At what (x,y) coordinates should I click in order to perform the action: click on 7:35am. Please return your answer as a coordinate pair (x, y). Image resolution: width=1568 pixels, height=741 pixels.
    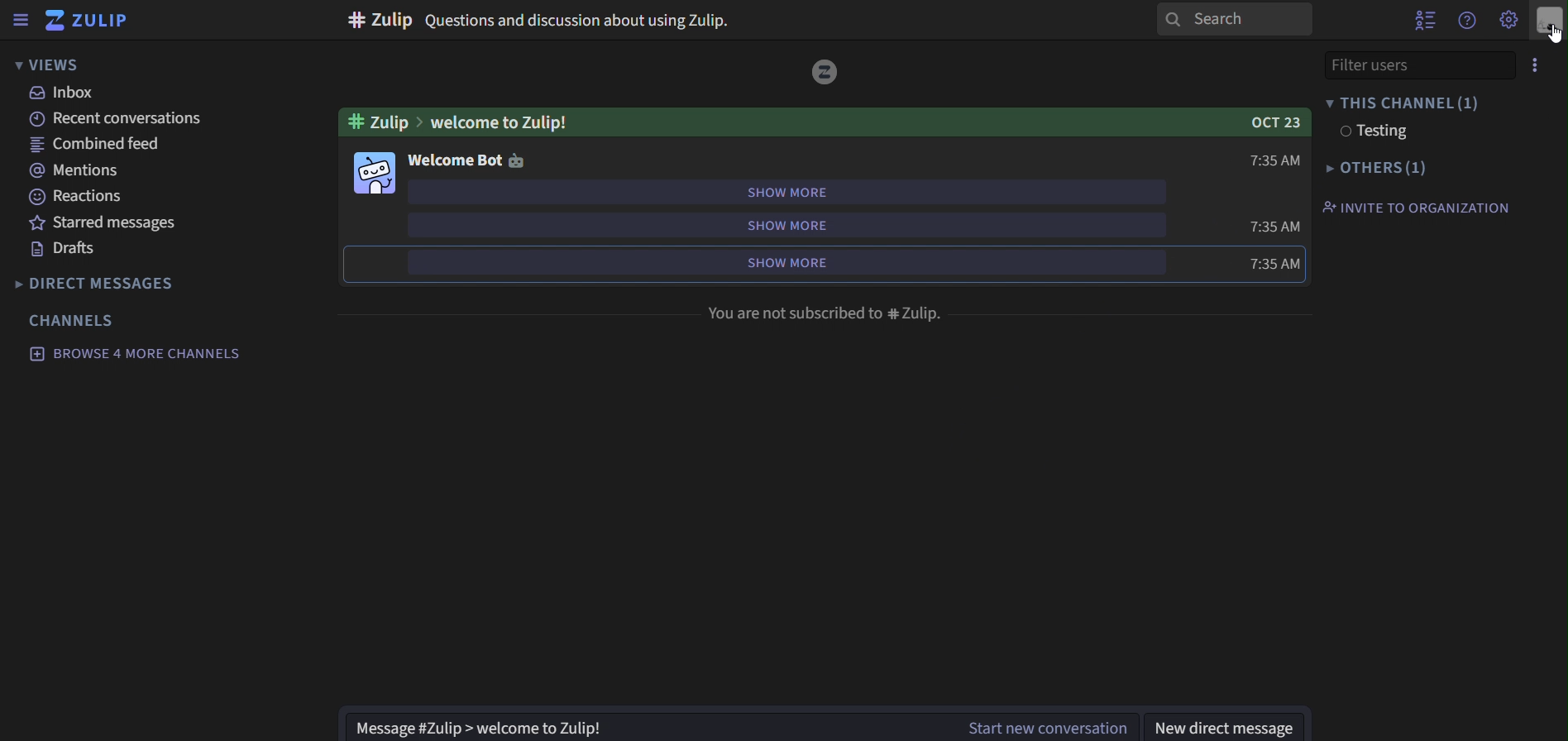
    Looking at the image, I should click on (1278, 162).